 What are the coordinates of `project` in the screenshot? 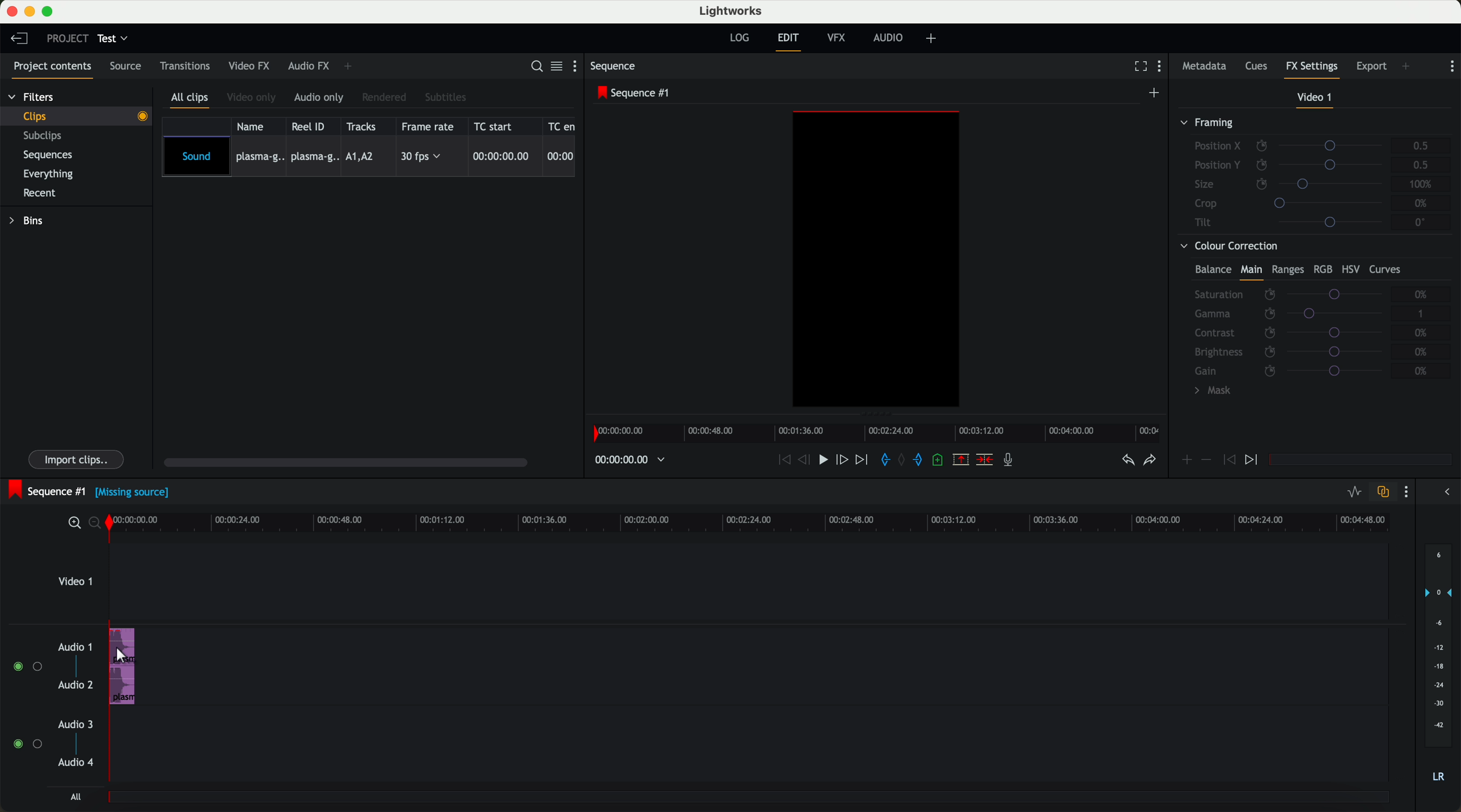 It's located at (65, 38).